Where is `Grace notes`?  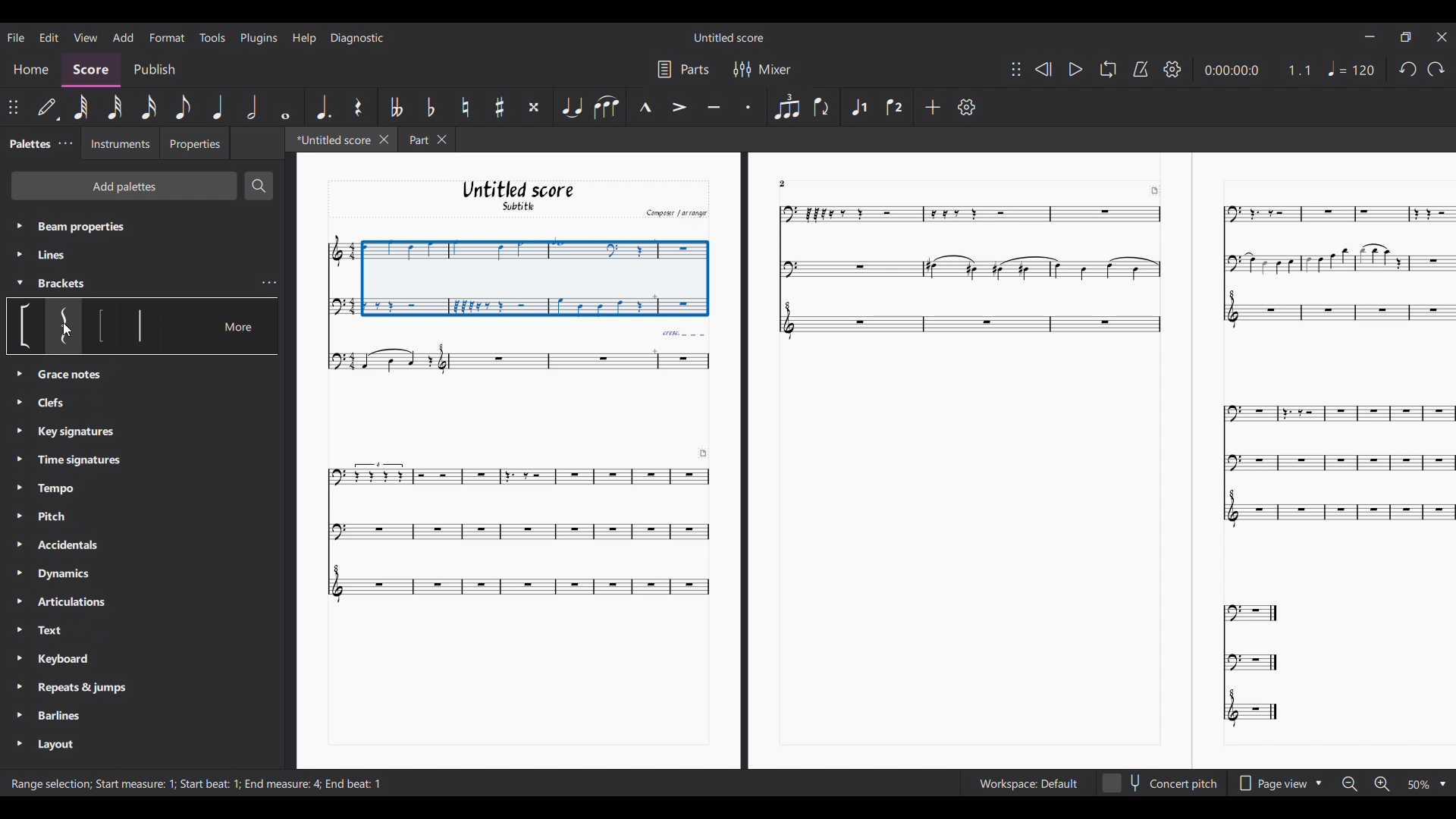 Grace notes is located at coordinates (57, 403).